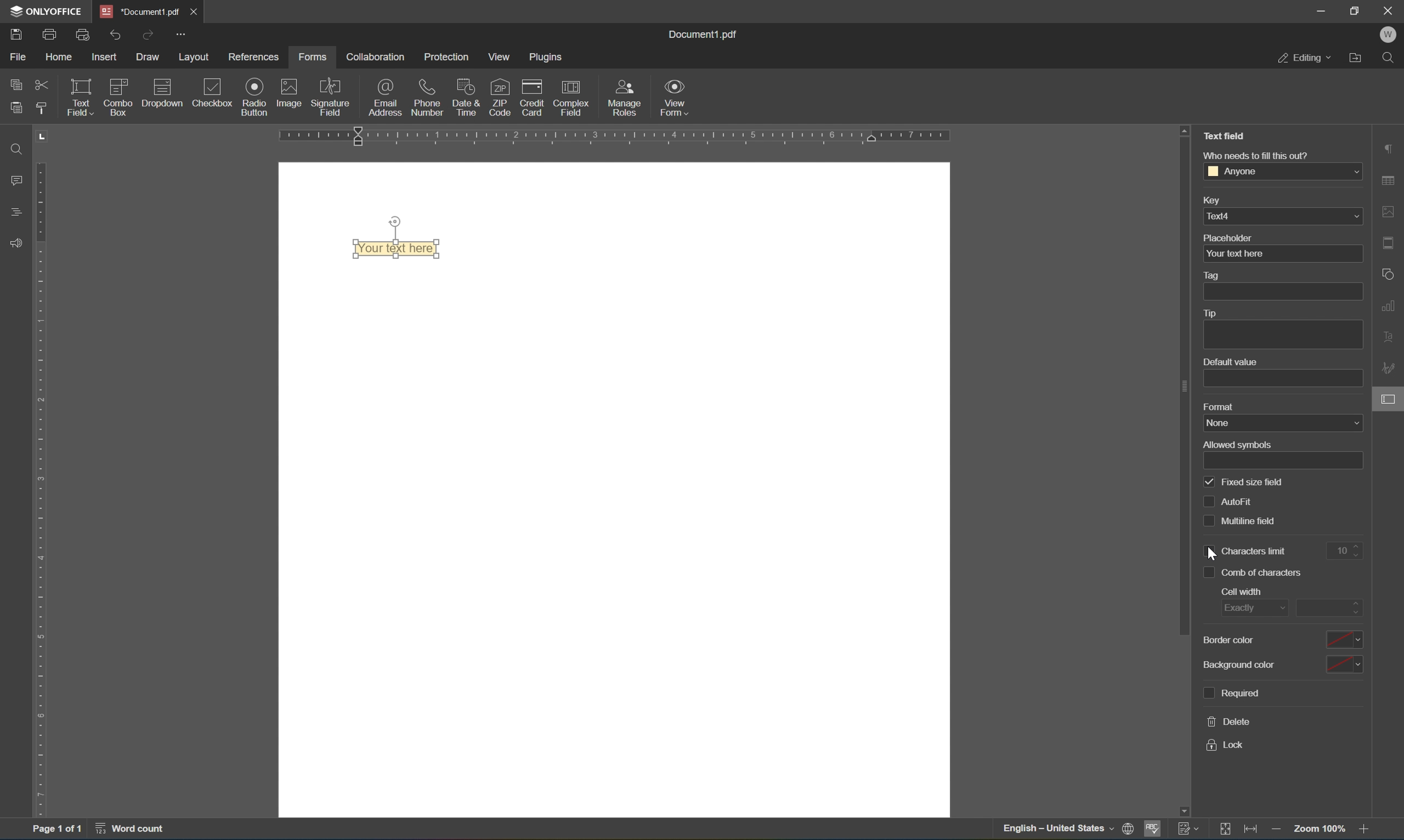  What do you see at coordinates (1254, 483) in the screenshot?
I see `fixed size field` at bounding box center [1254, 483].